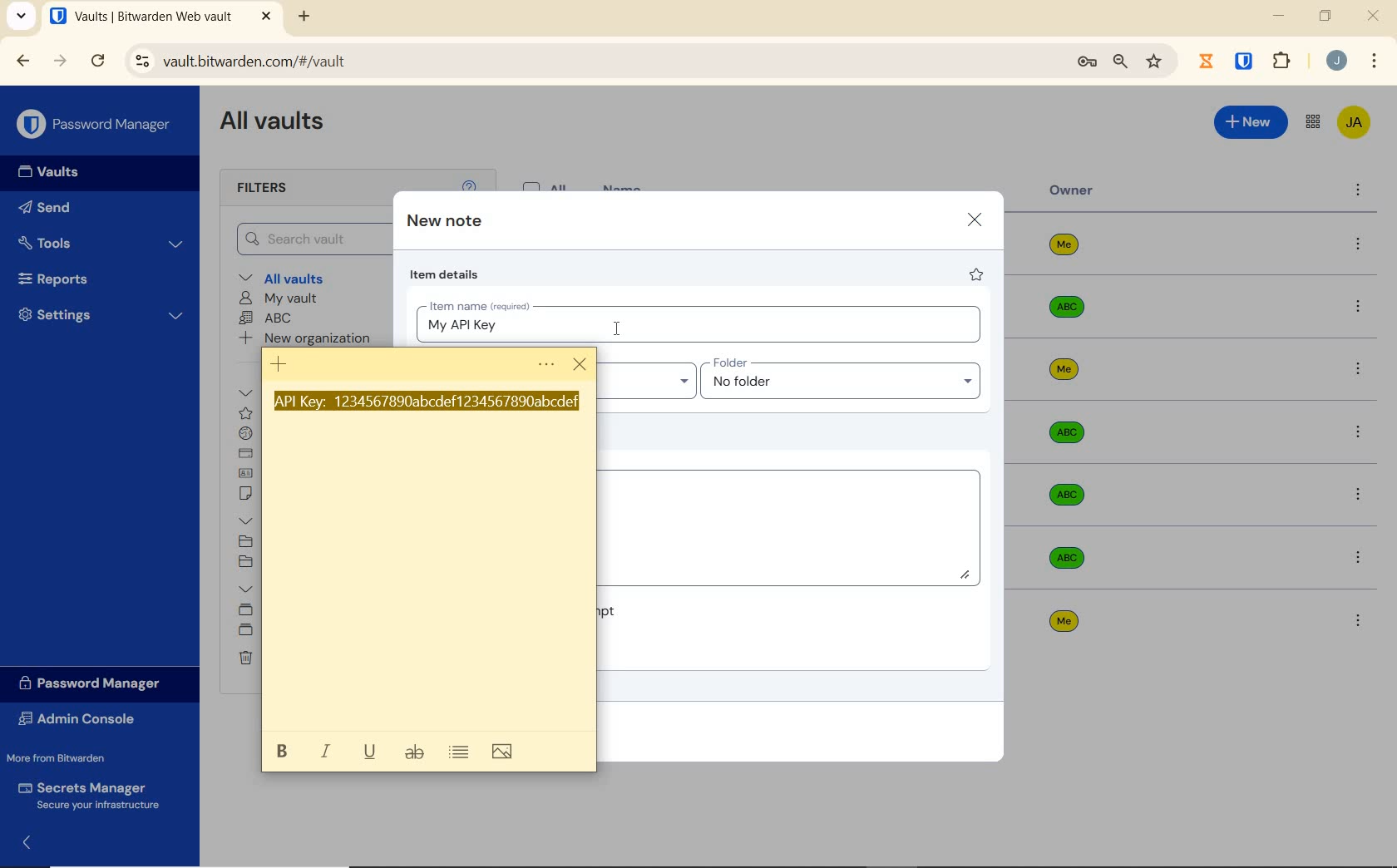 Image resolution: width=1397 pixels, height=868 pixels. Describe the element at coordinates (22, 16) in the screenshot. I see `search tabs` at that location.